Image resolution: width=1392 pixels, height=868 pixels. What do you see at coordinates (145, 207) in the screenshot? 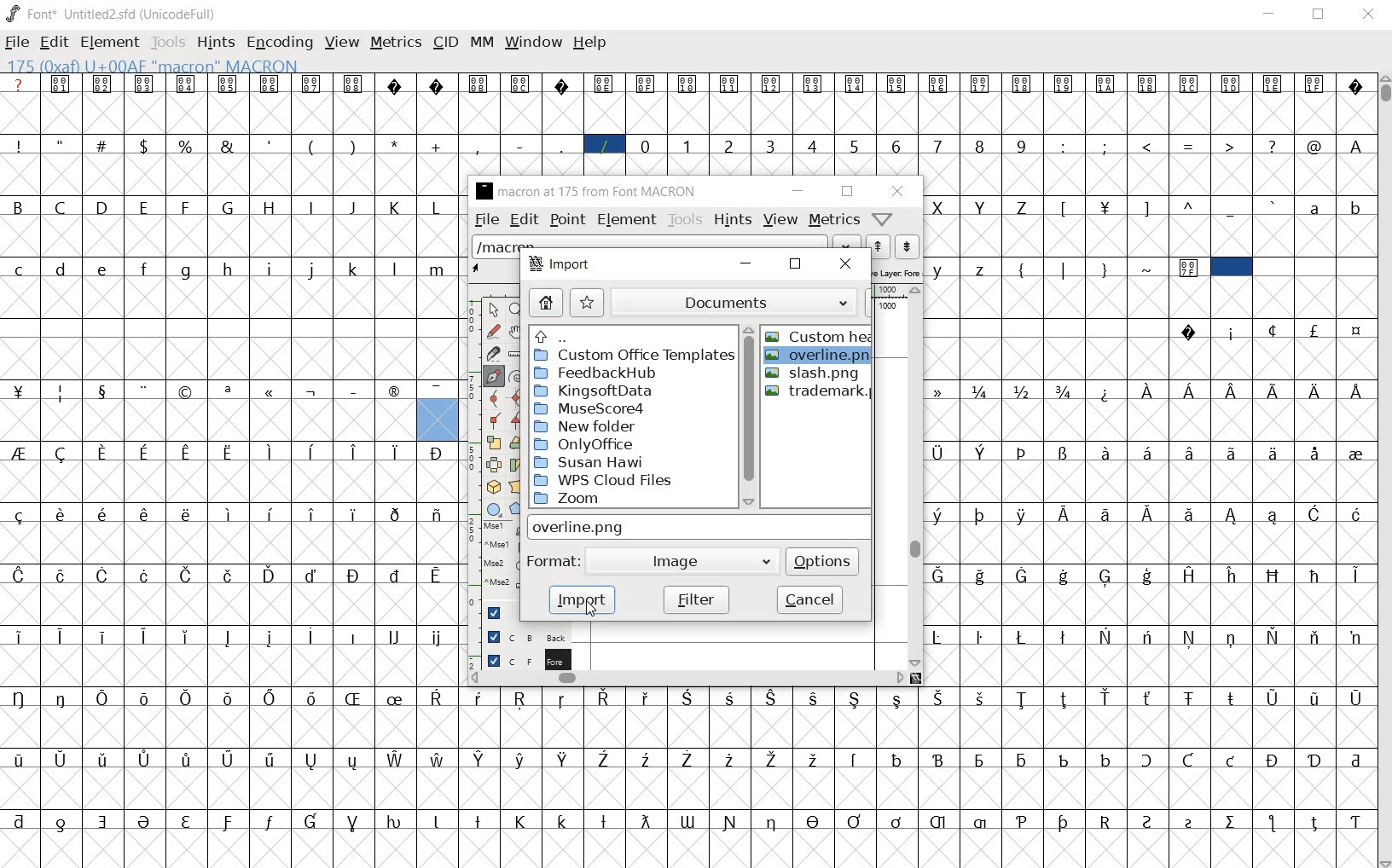
I see `E` at bounding box center [145, 207].